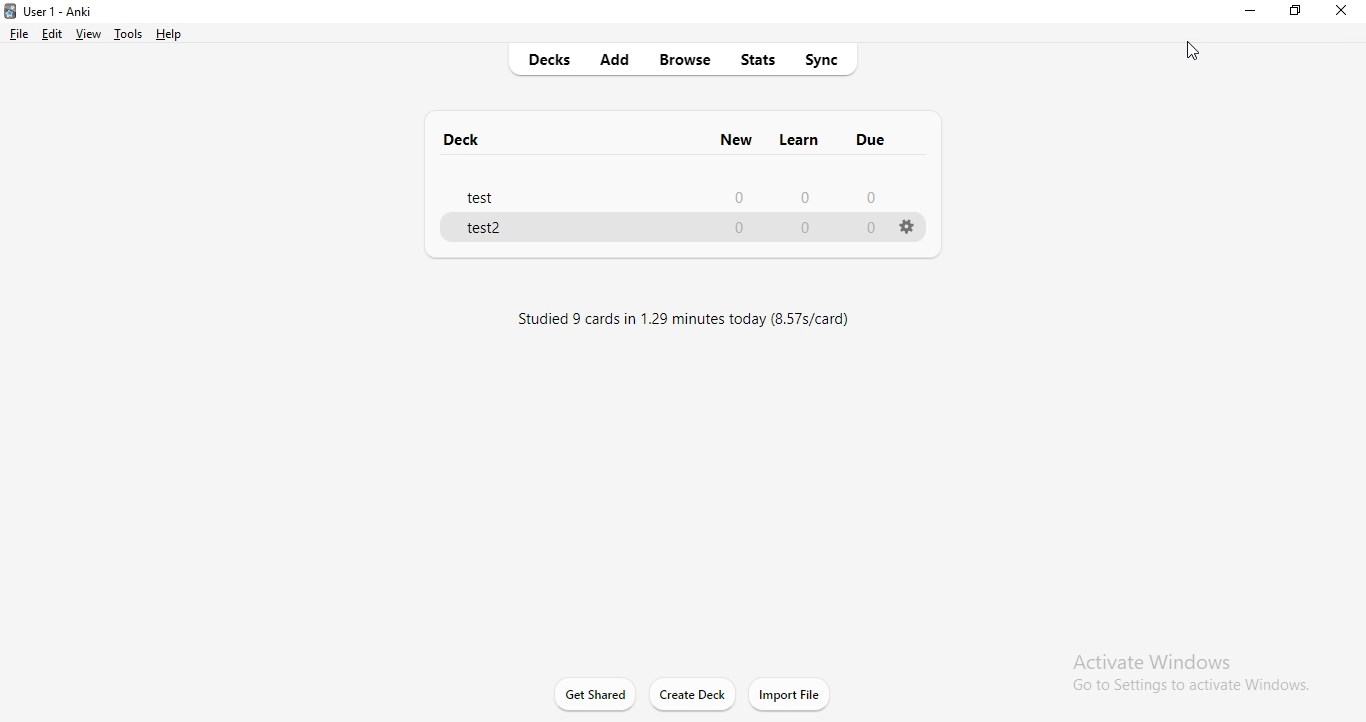  Describe the element at coordinates (741, 198) in the screenshot. I see `0` at that location.